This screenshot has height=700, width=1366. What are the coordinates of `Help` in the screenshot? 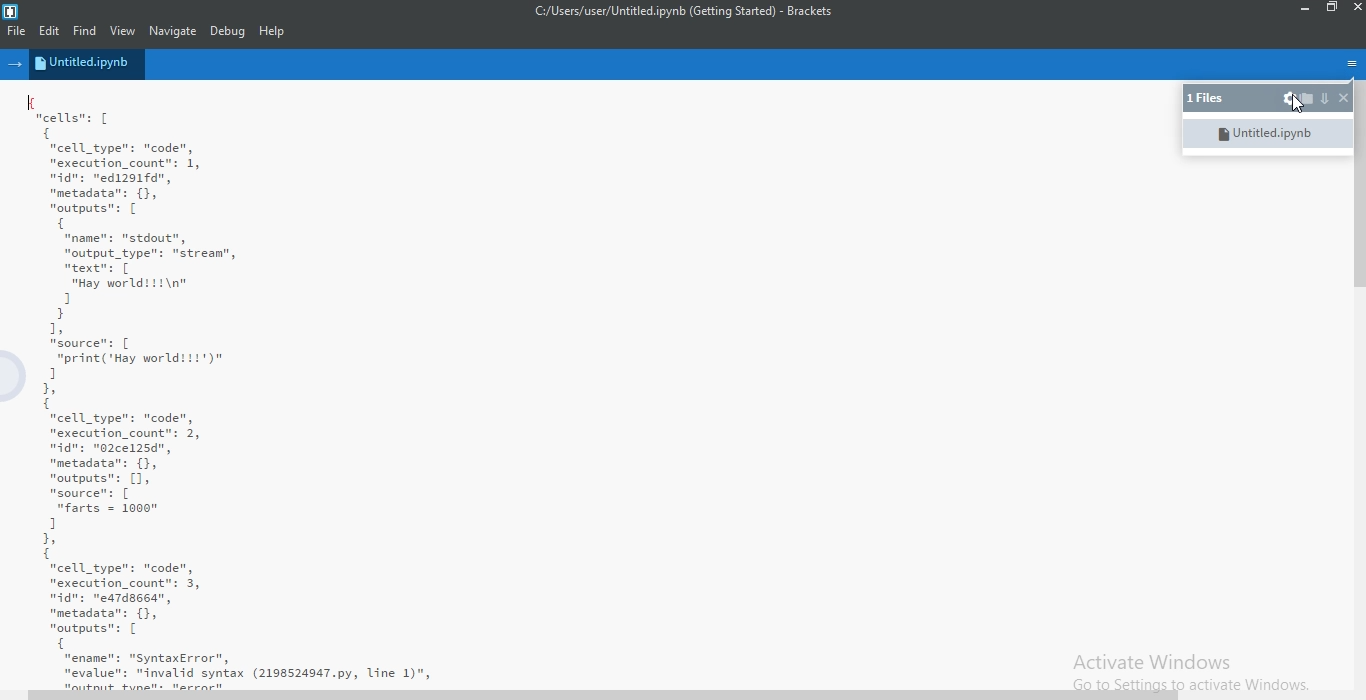 It's located at (273, 33).